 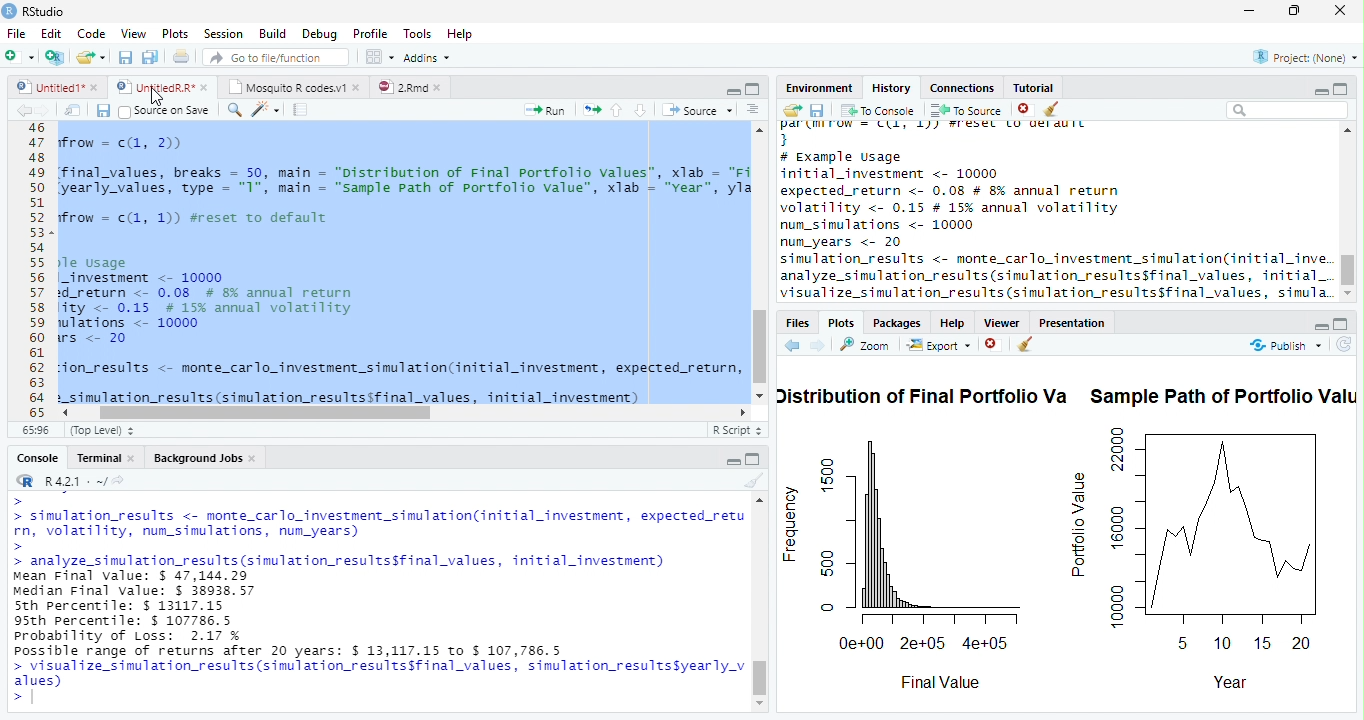 I want to click on Zoom, so click(x=866, y=344).